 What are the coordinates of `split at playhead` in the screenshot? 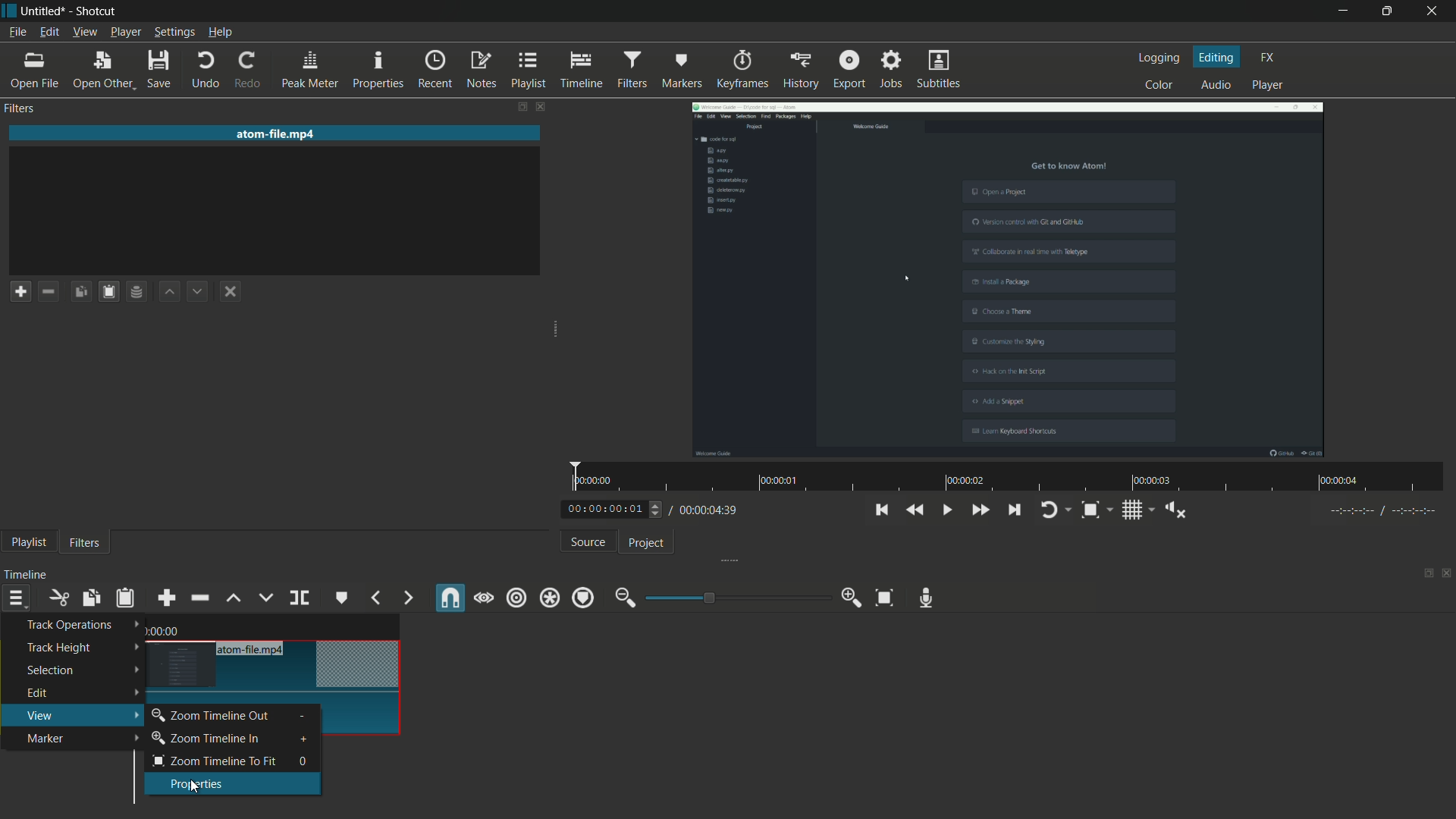 It's located at (301, 598).